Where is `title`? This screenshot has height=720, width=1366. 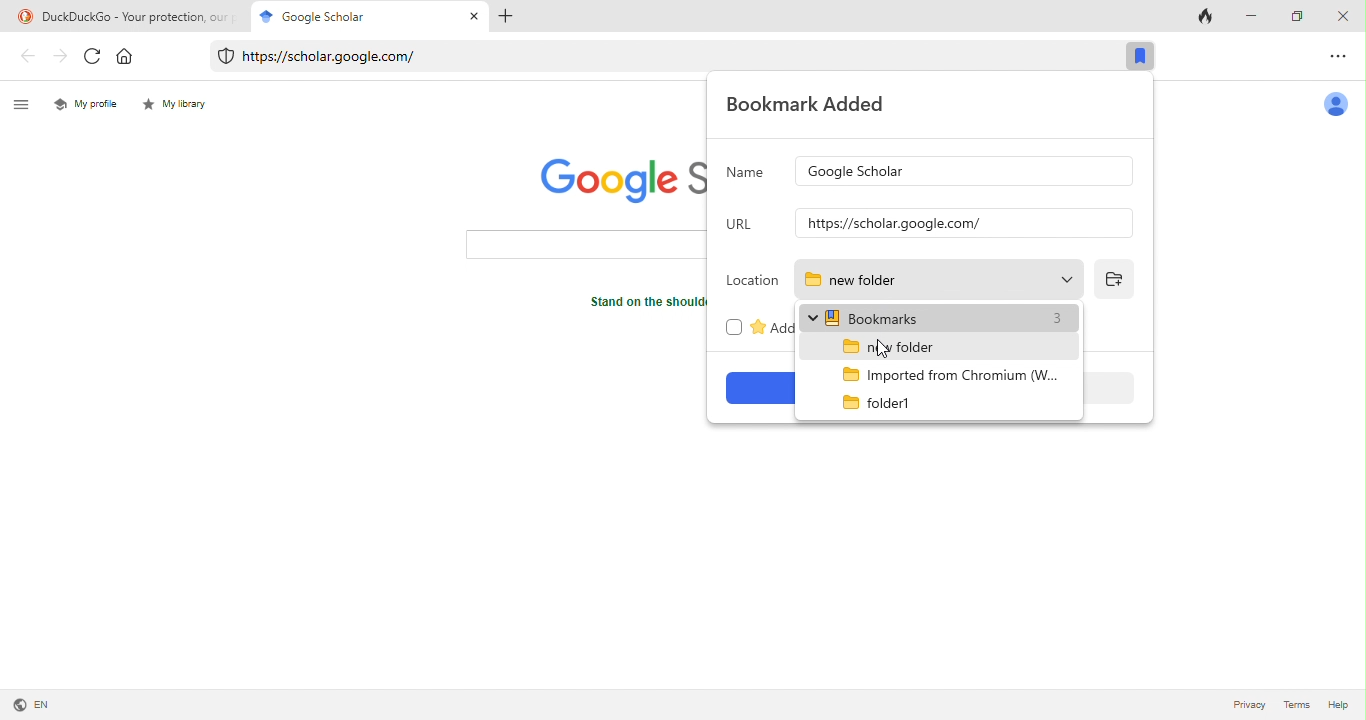
title is located at coordinates (124, 15).